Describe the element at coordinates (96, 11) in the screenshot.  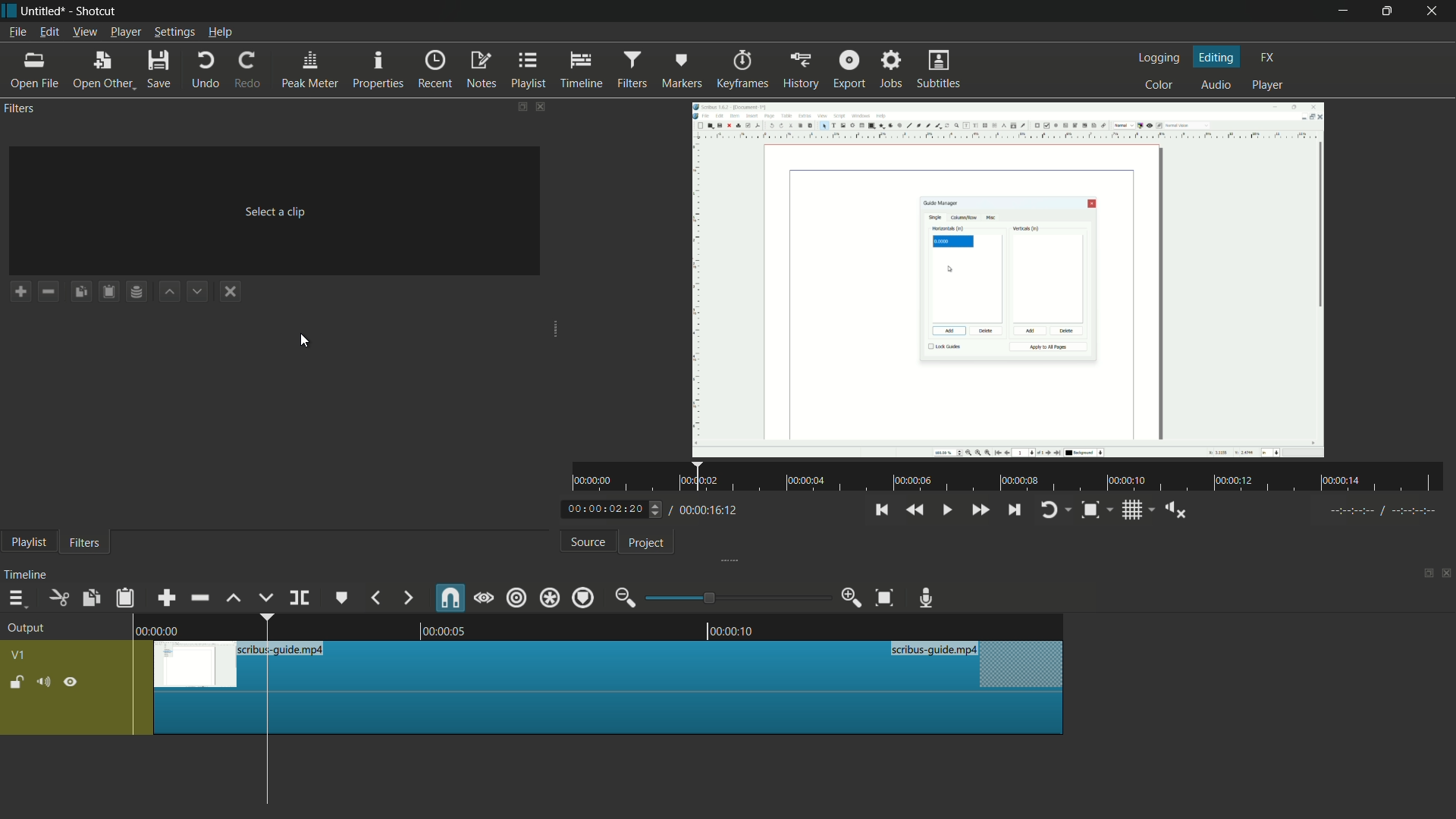
I see `app name` at that location.